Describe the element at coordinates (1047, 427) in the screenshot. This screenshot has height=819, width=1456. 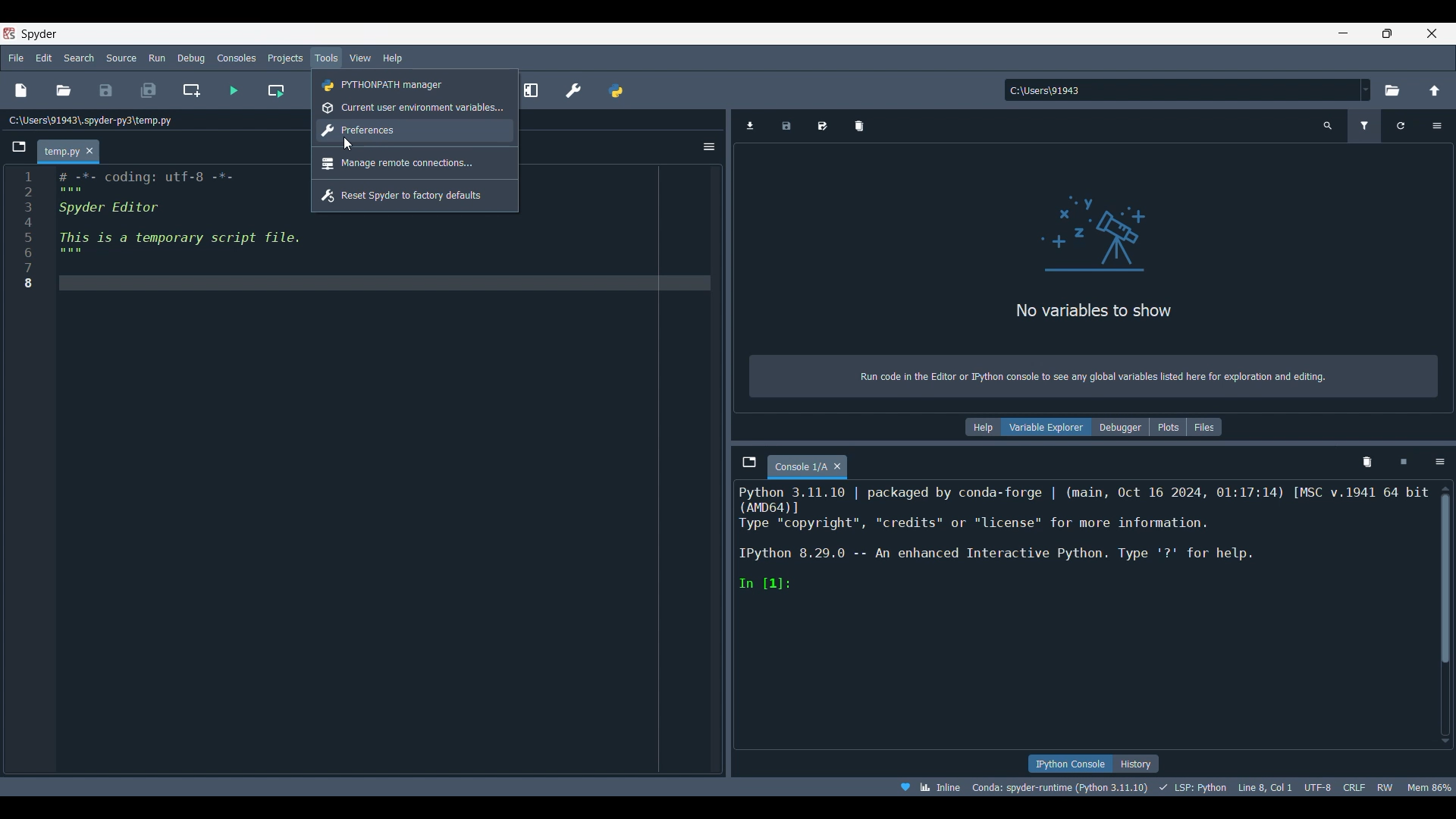
I see `Variable explorer, current selection highlighted` at that location.